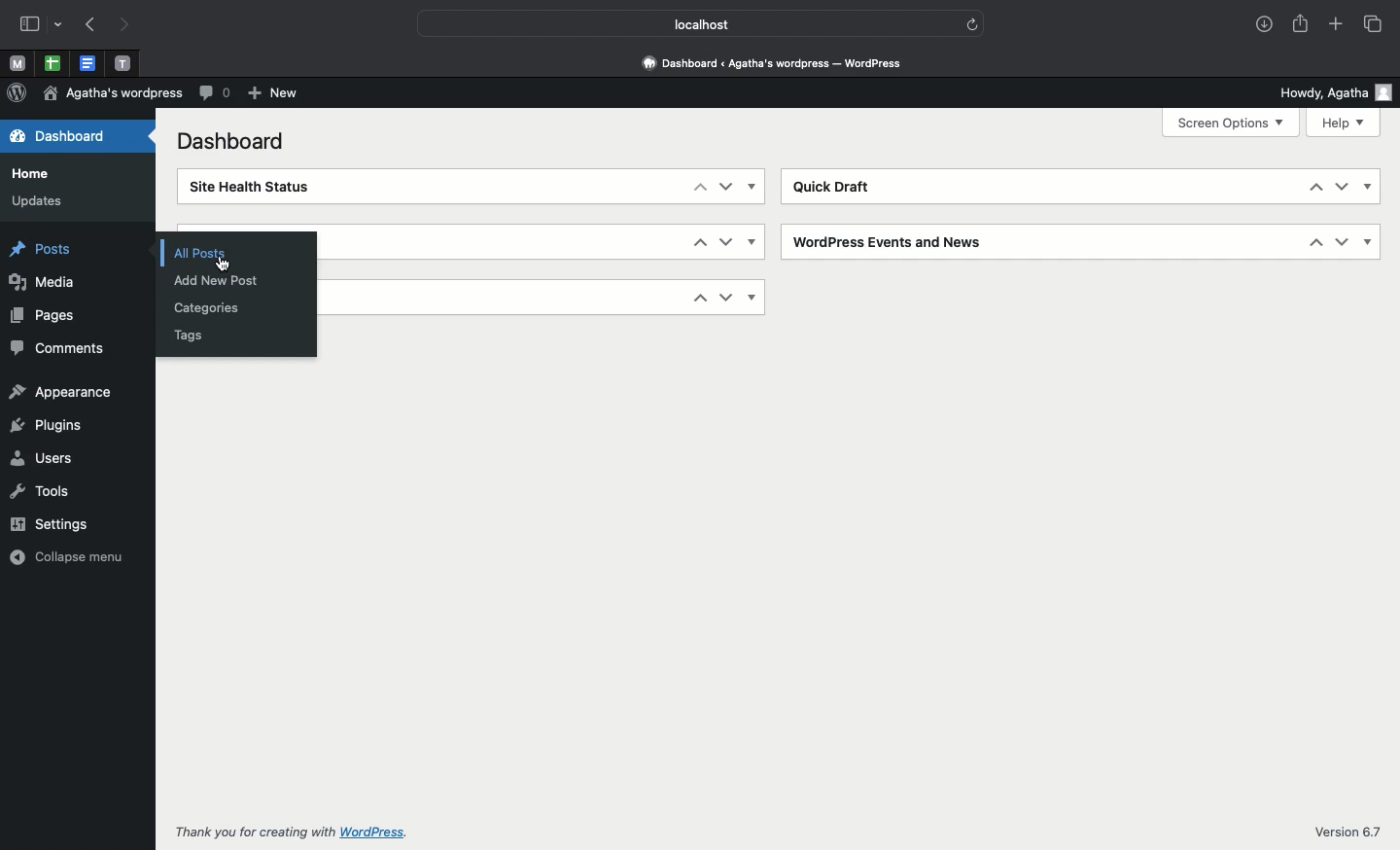 Image resolution: width=1400 pixels, height=850 pixels. What do you see at coordinates (835, 186) in the screenshot?
I see `Quick draft` at bounding box center [835, 186].